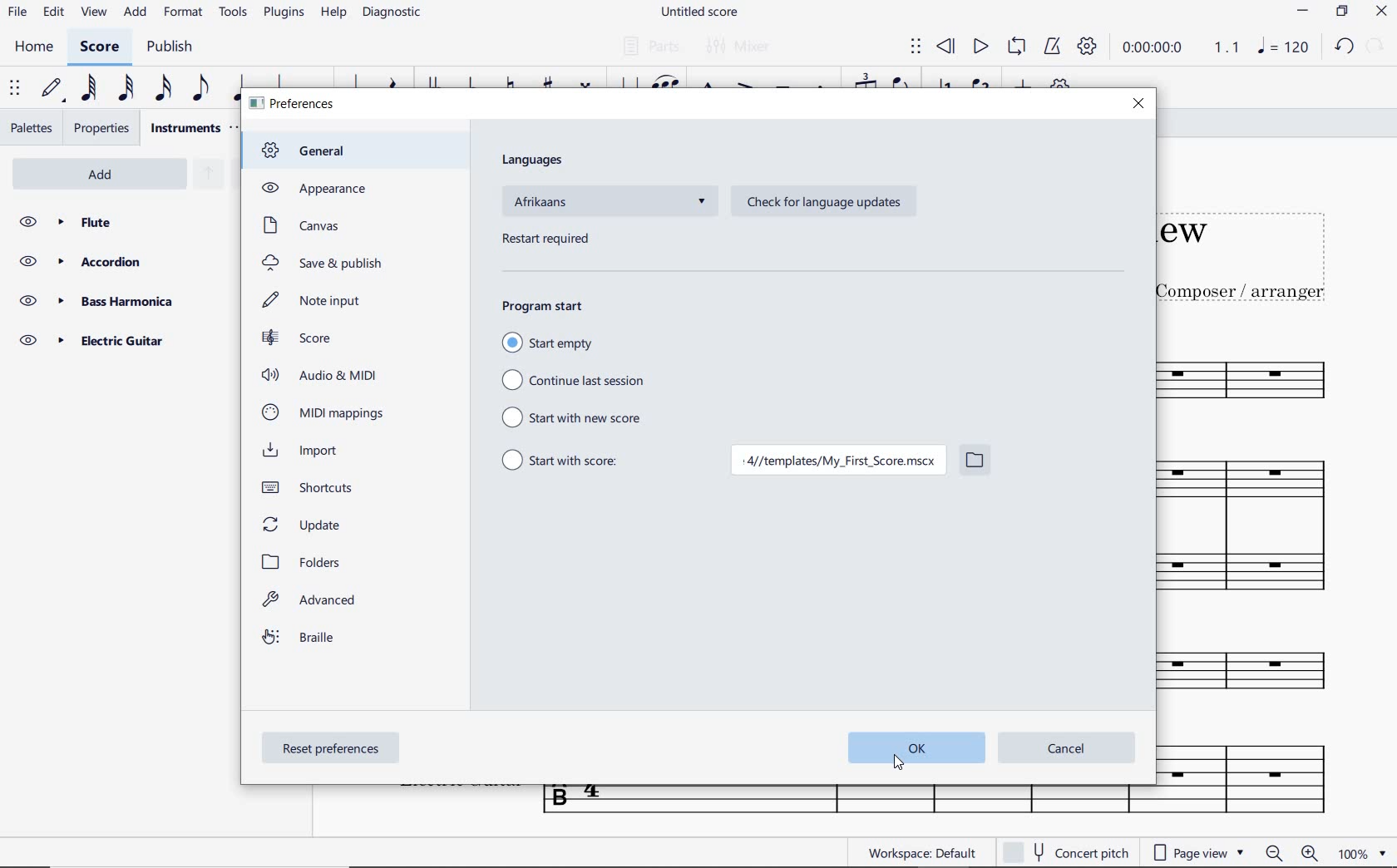 The width and height of the screenshot is (1397, 868). What do you see at coordinates (1375, 47) in the screenshot?
I see `REDO` at bounding box center [1375, 47].